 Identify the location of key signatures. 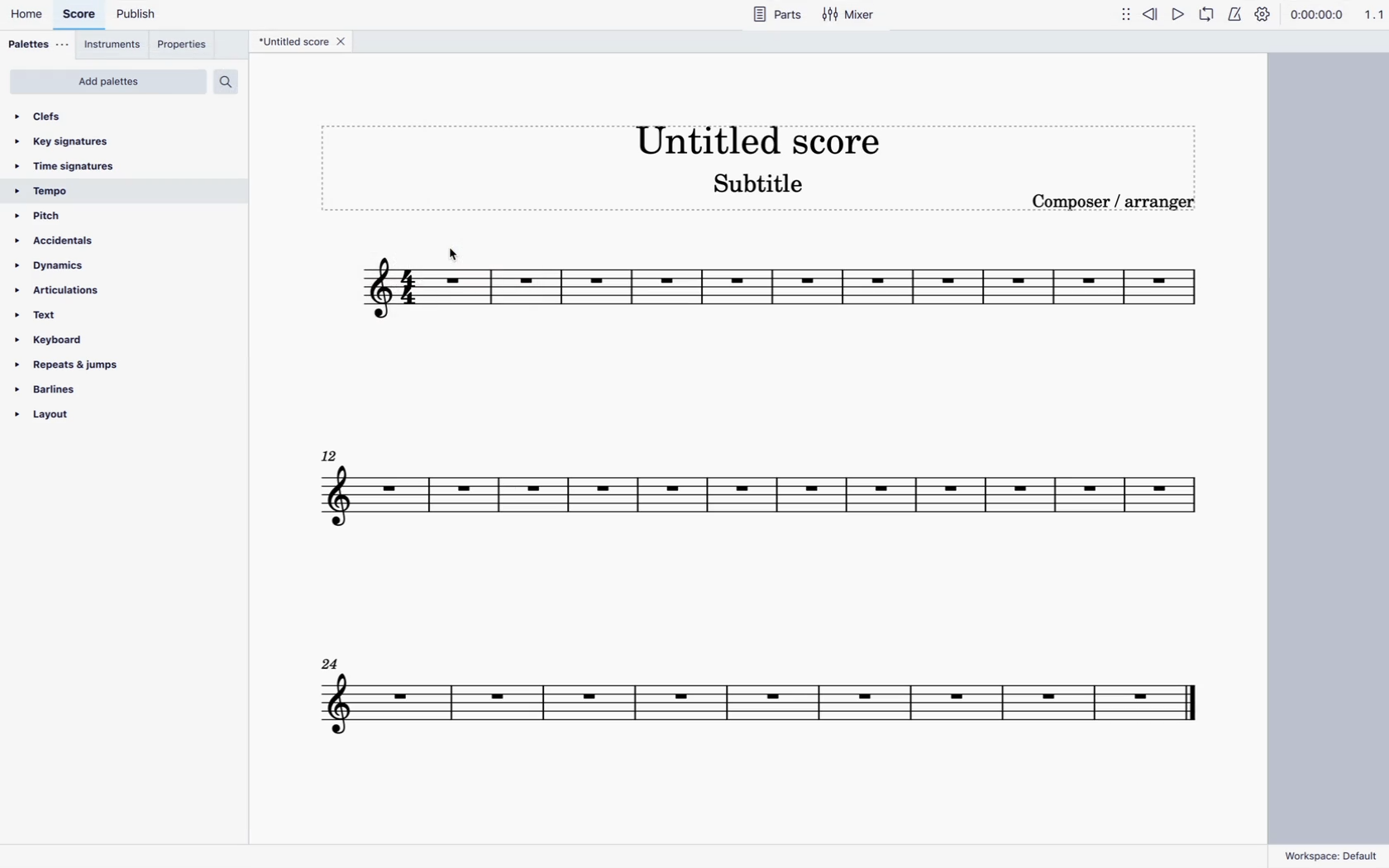
(70, 142).